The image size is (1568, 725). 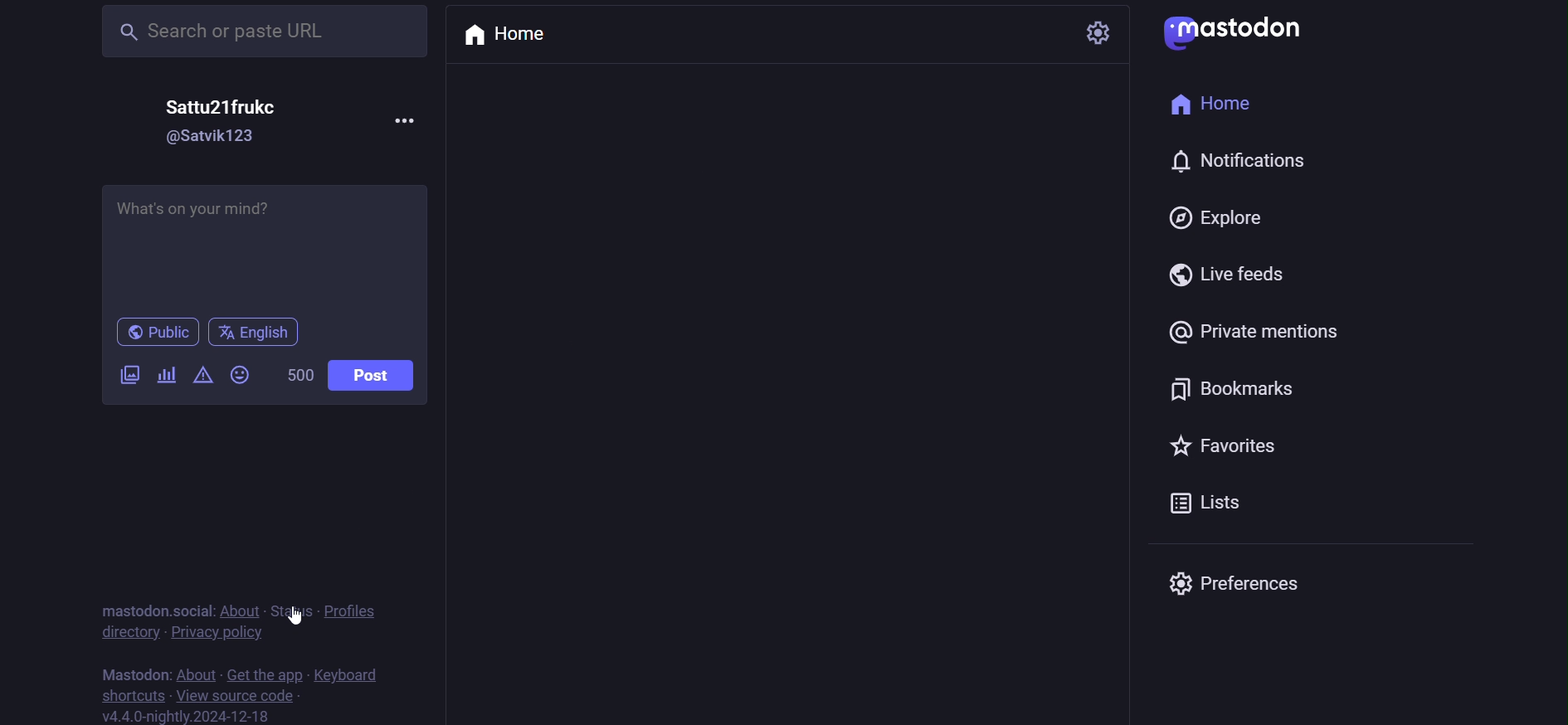 What do you see at coordinates (129, 634) in the screenshot?
I see `directory` at bounding box center [129, 634].